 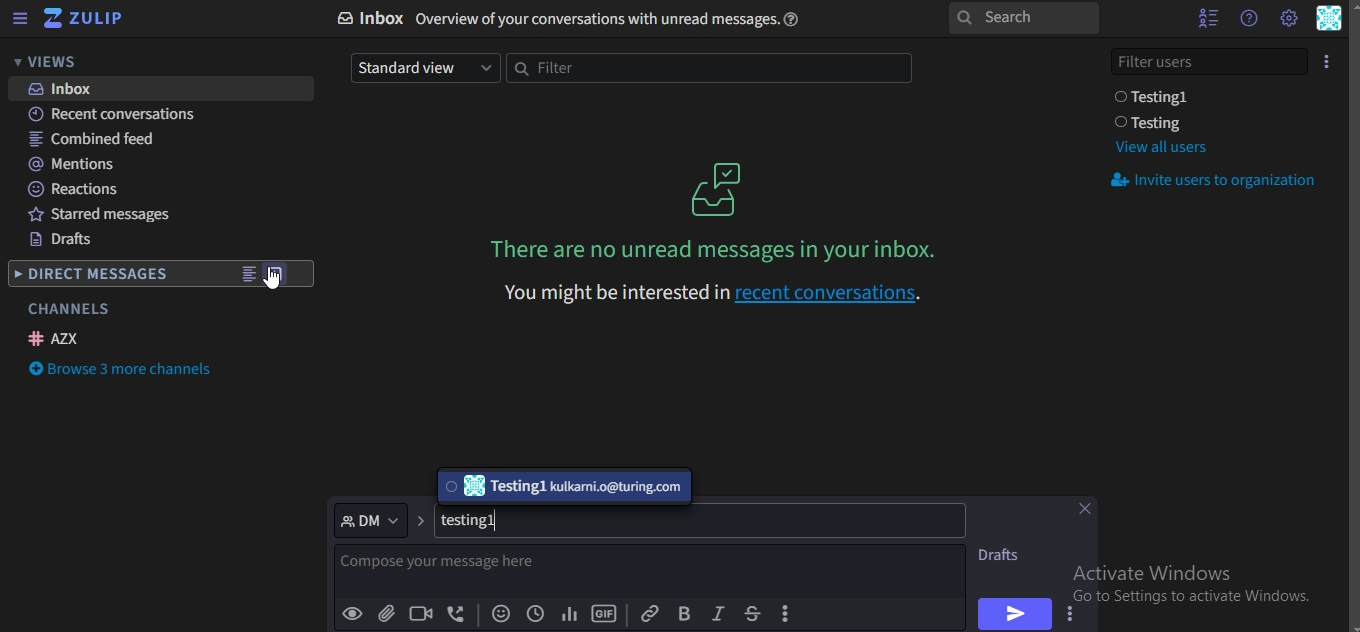 I want to click on preview, so click(x=353, y=614).